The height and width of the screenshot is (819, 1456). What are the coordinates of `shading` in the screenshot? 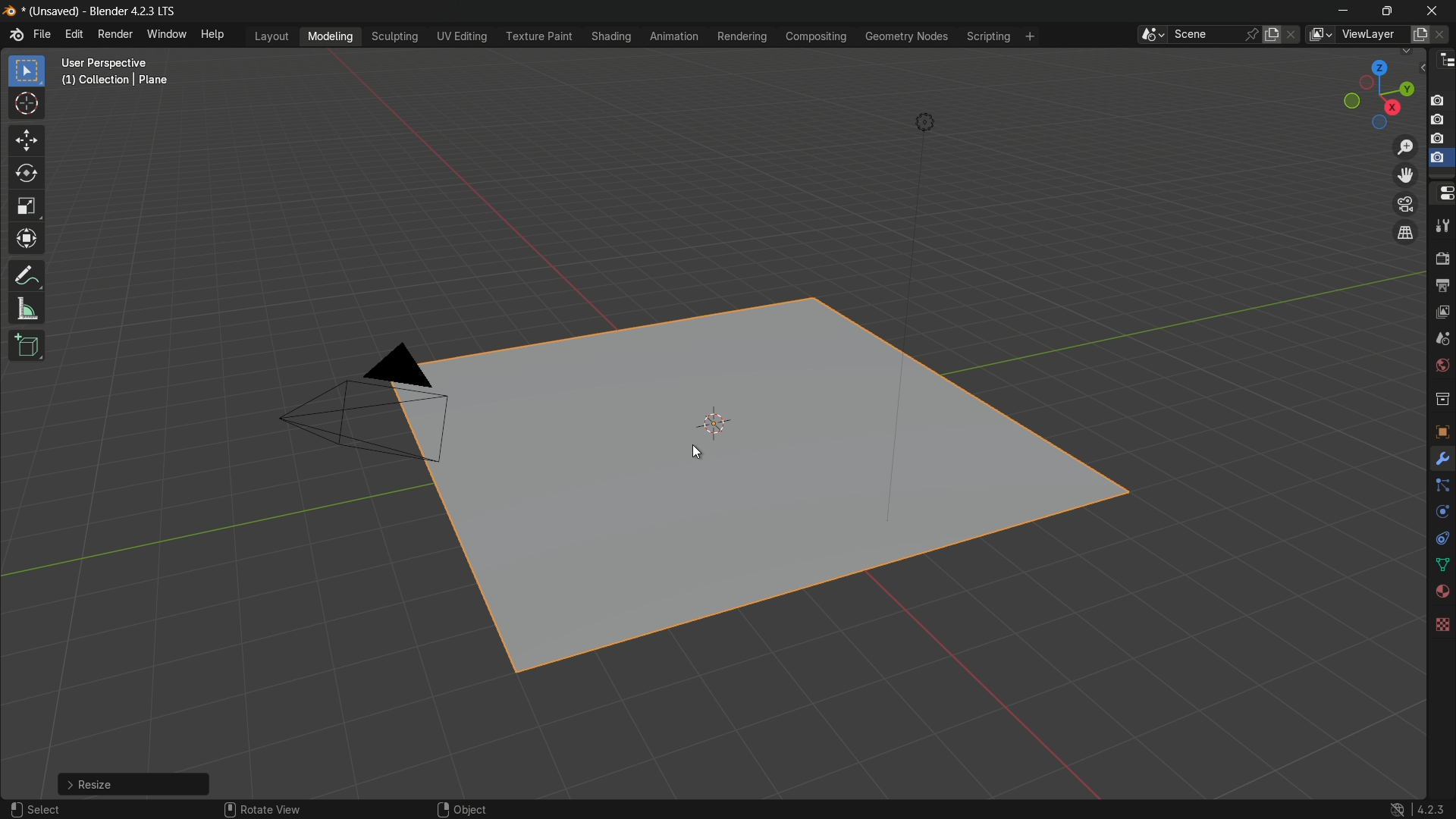 It's located at (610, 36).